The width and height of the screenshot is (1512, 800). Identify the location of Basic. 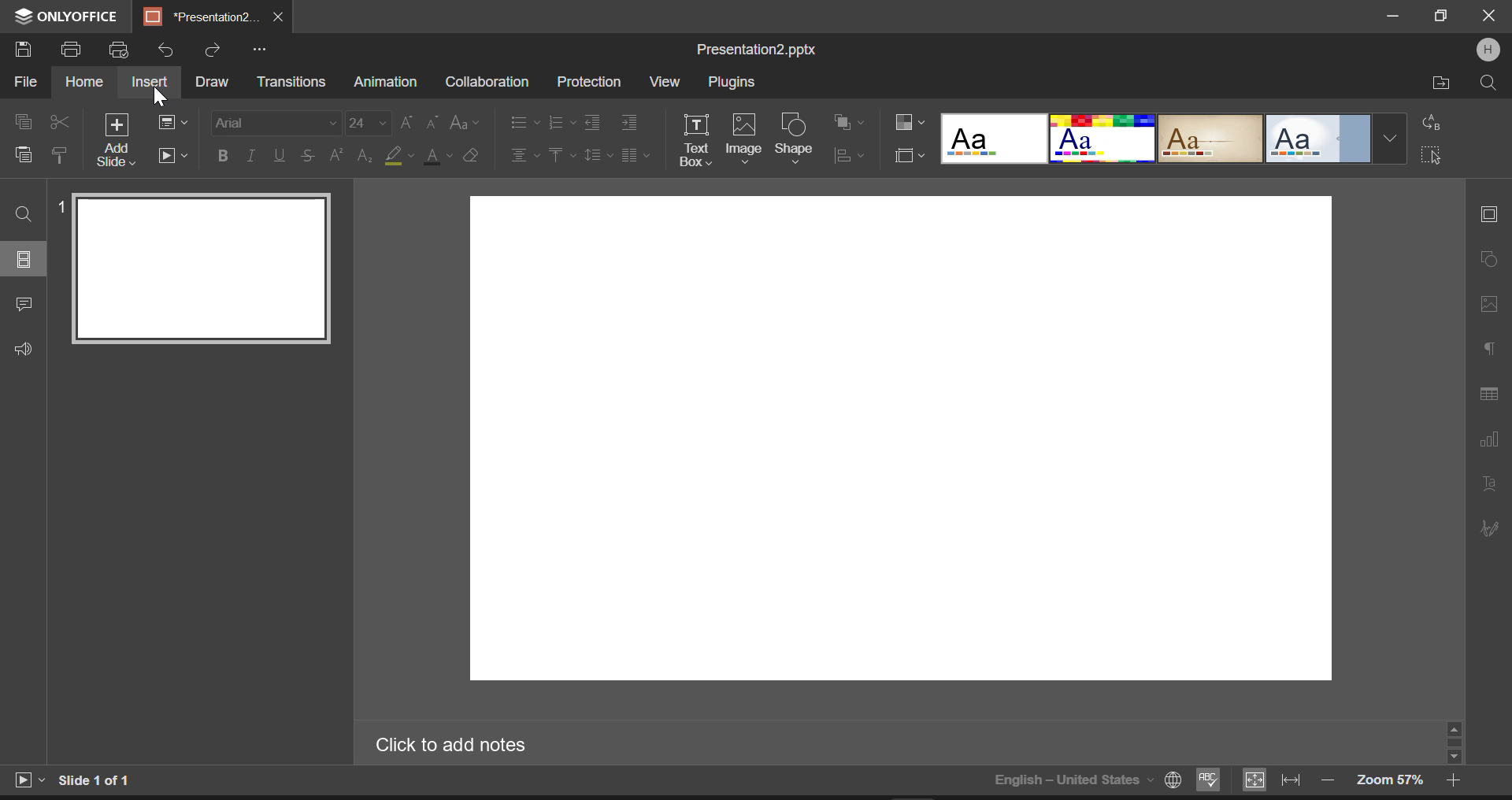
(1102, 139).